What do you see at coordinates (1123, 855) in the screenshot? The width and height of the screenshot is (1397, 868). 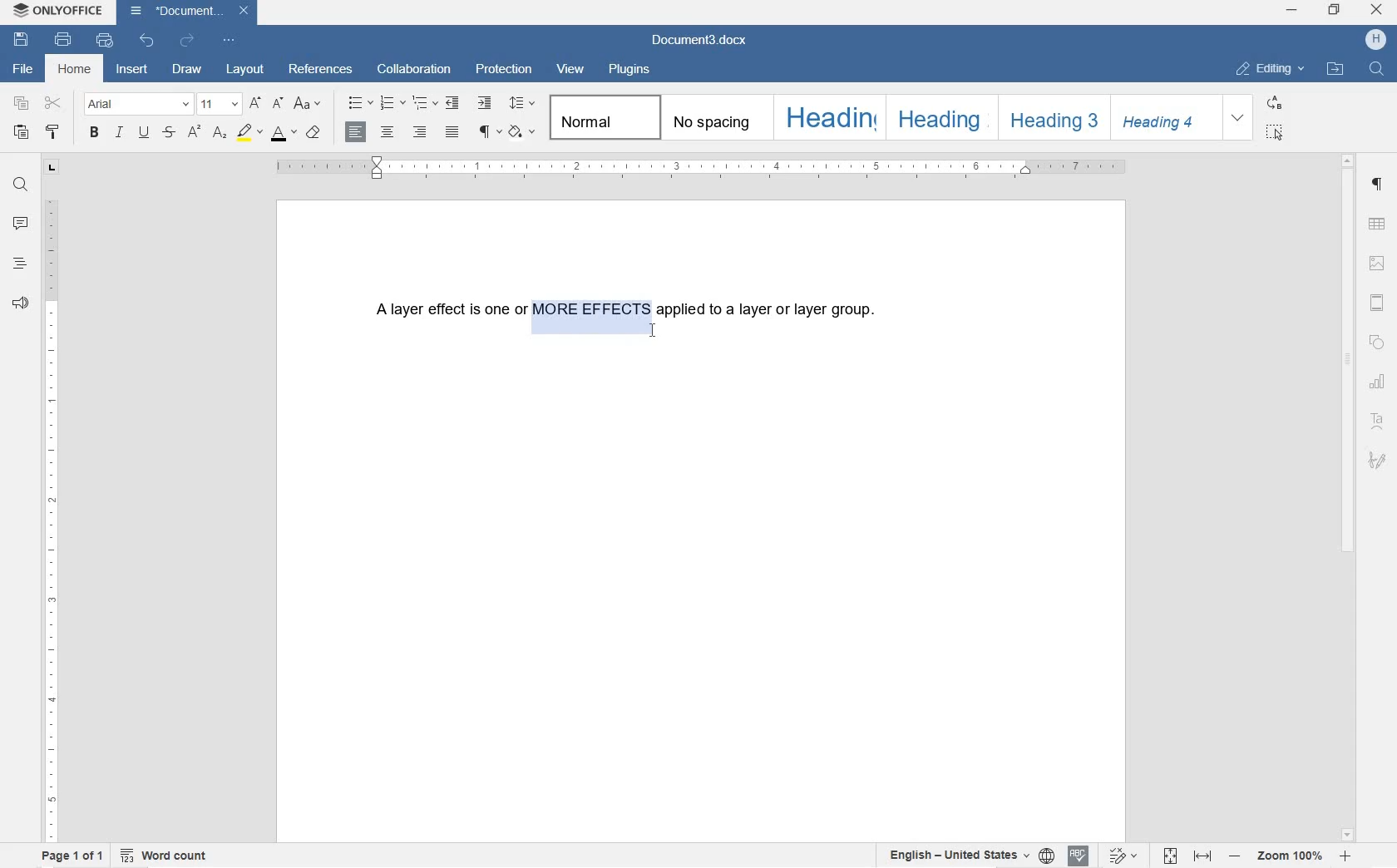 I see `TRACK CHANGES` at bounding box center [1123, 855].